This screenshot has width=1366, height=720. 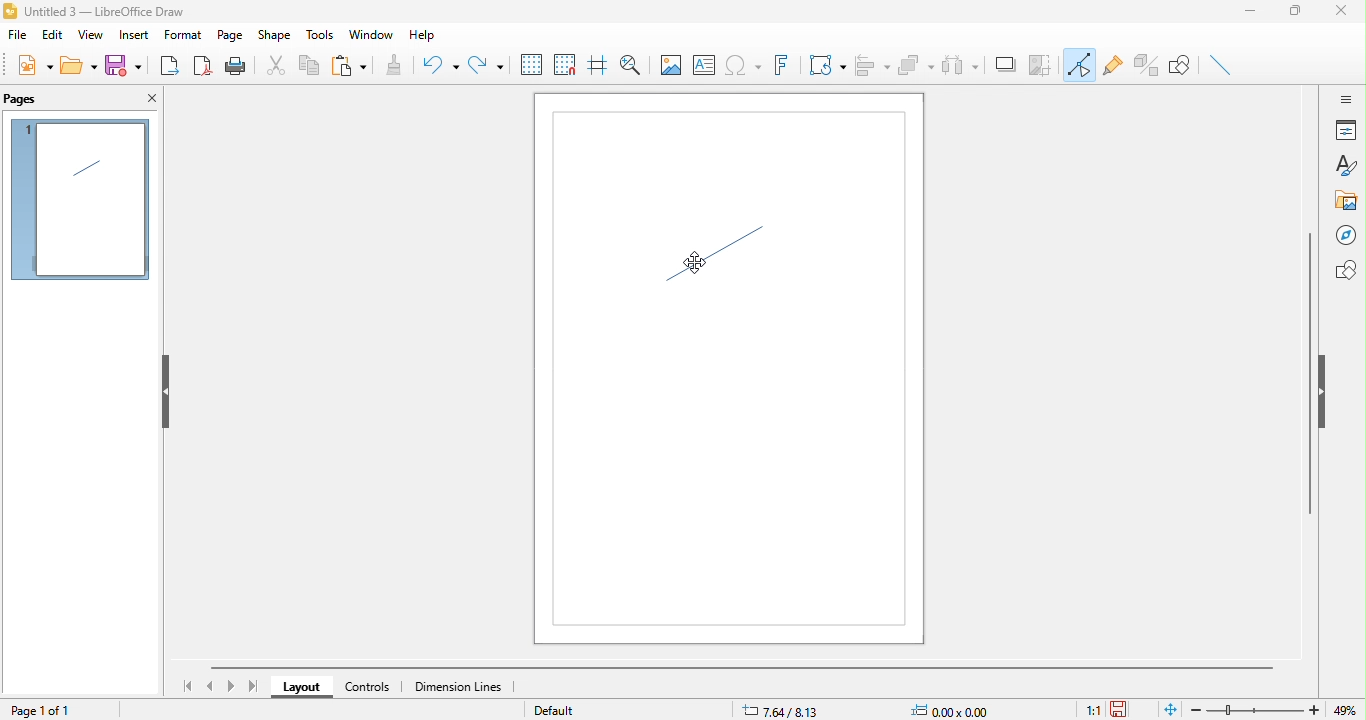 What do you see at coordinates (963, 64) in the screenshot?
I see `select at least three object to distribute` at bounding box center [963, 64].